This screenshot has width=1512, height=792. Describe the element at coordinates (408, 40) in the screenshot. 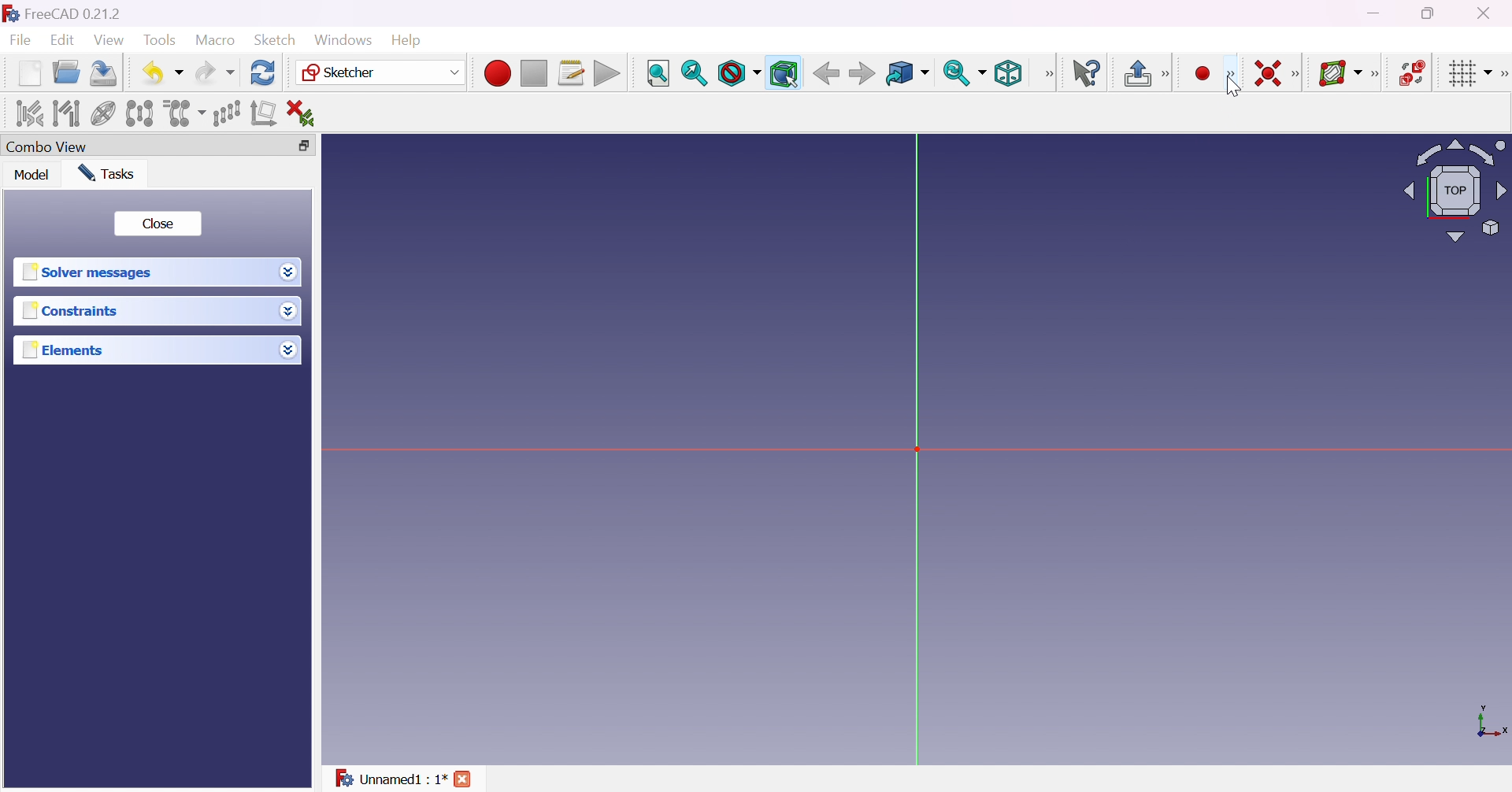

I see `Help` at that location.